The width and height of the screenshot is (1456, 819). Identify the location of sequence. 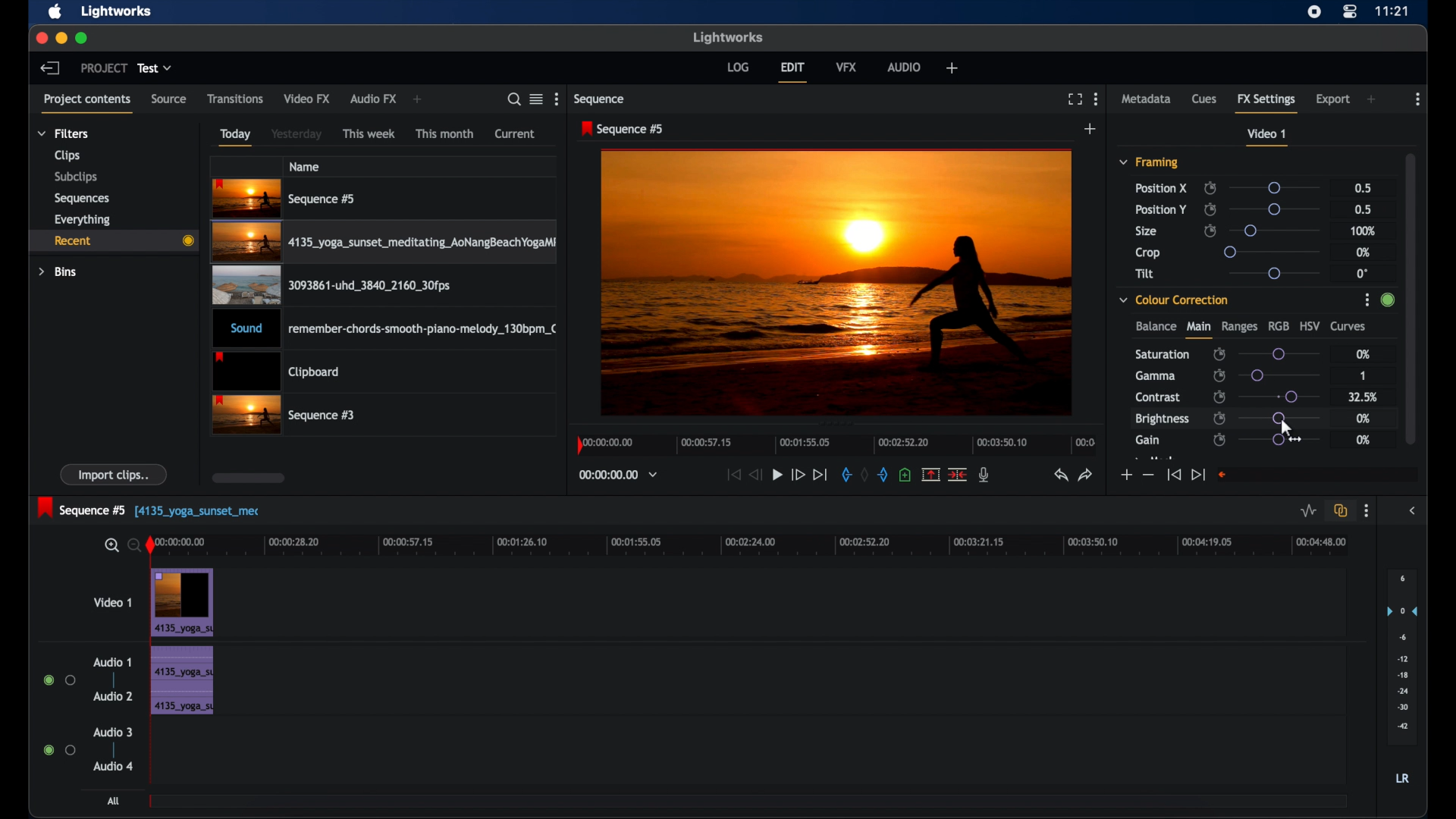
(623, 129).